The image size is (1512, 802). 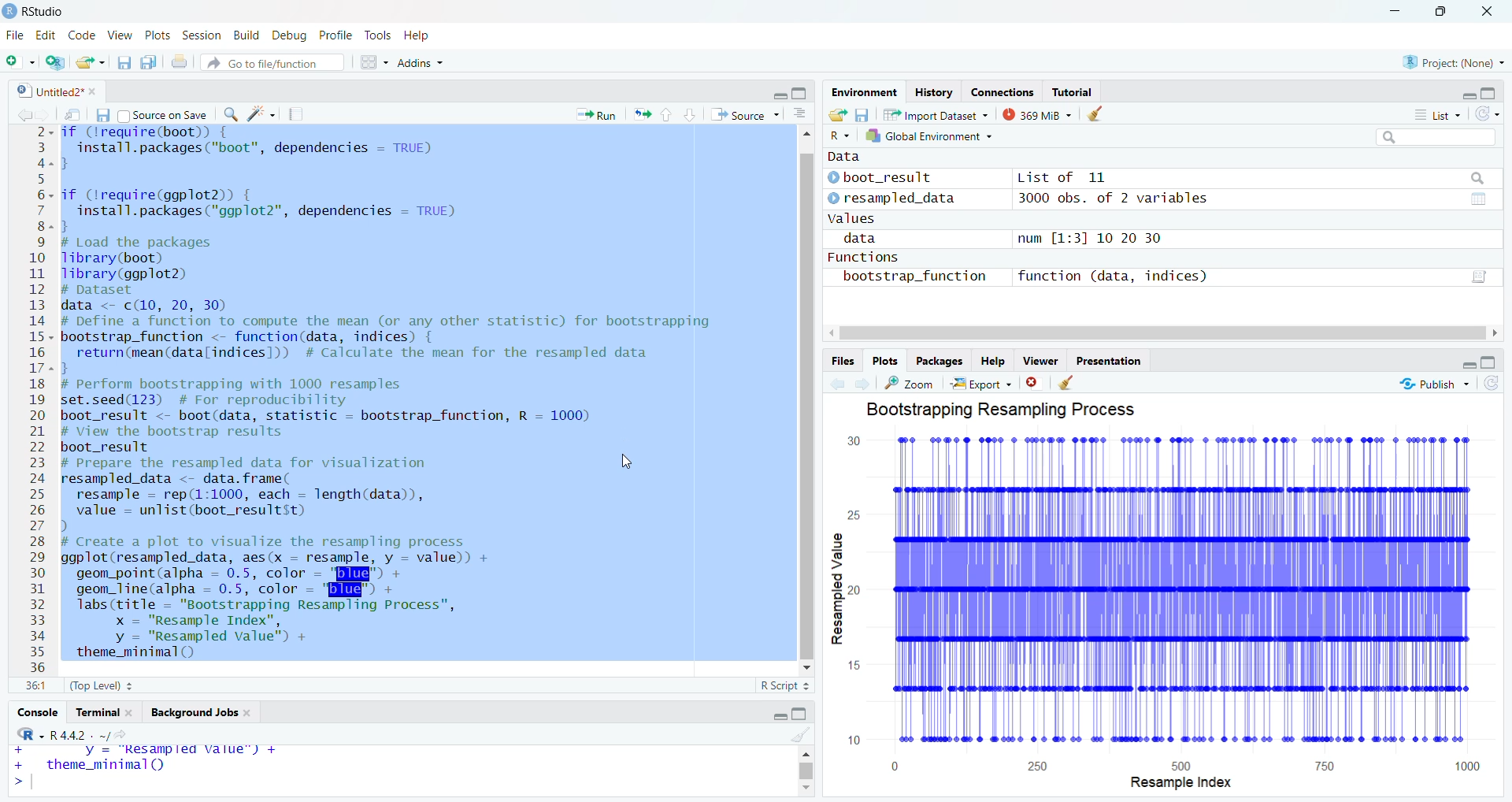 I want to click on clear all plots, so click(x=1065, y=383).